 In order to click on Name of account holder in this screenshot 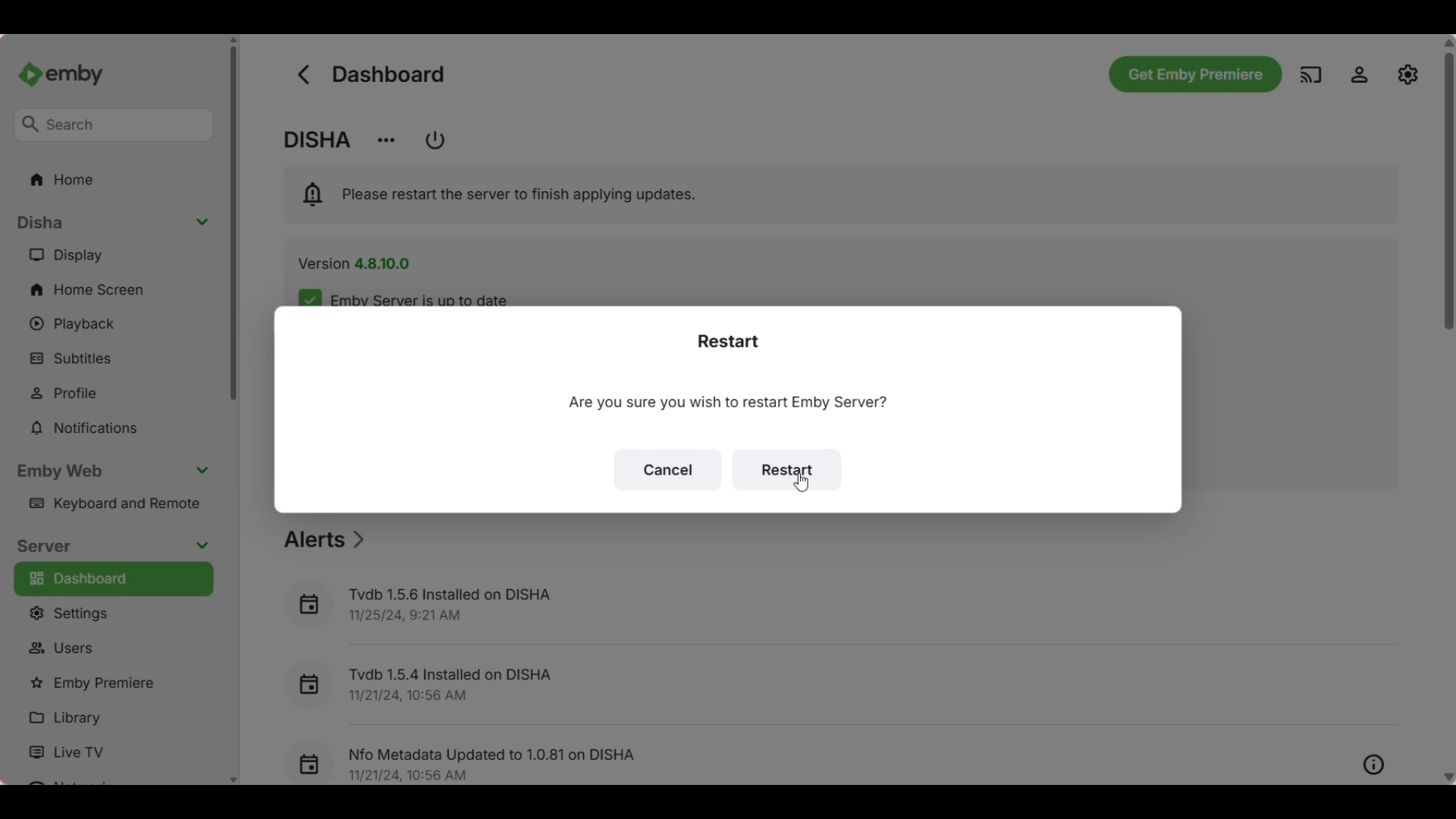, I will do `click(318, 140)`.